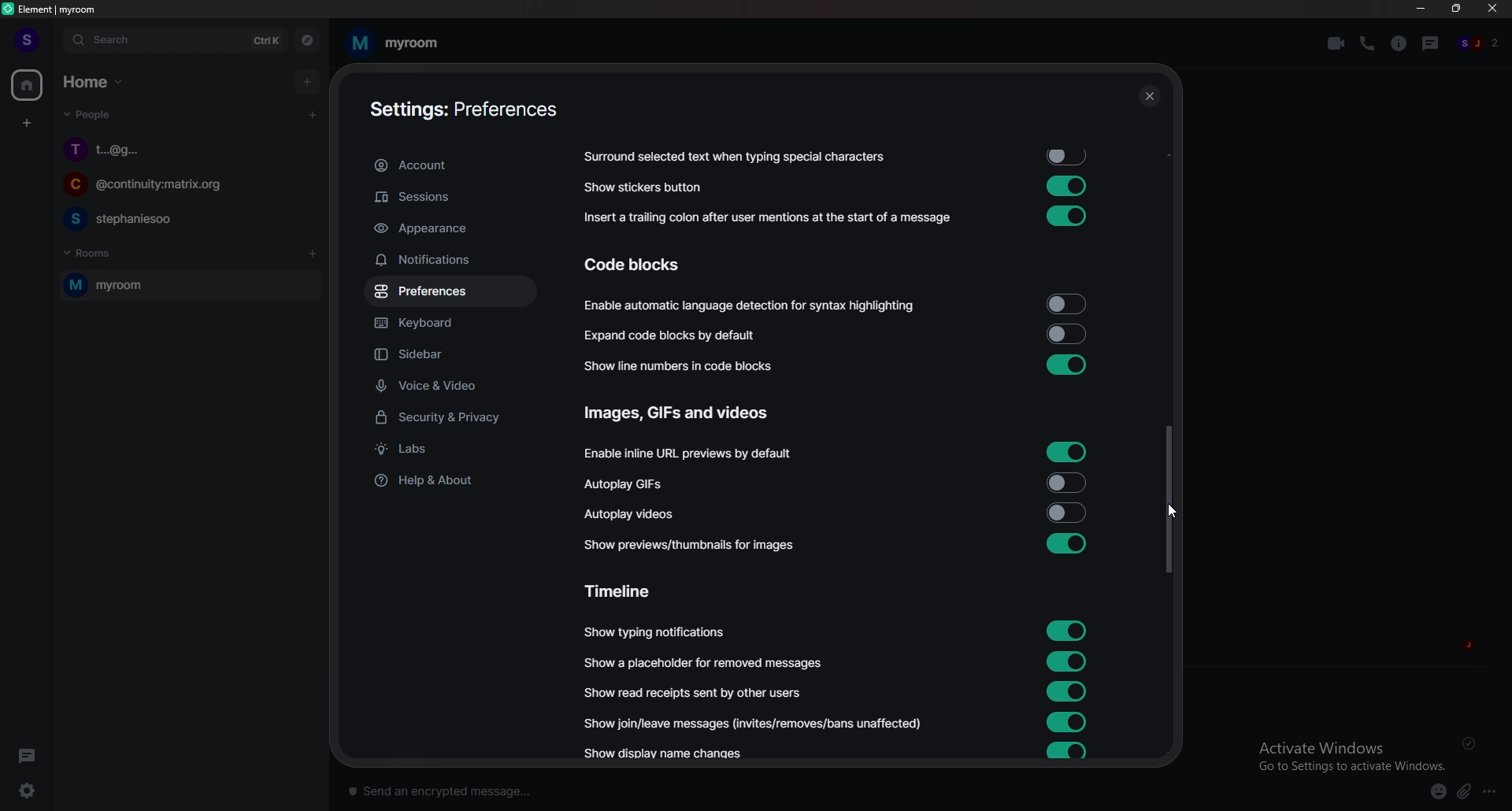  What do you see at coordinates (457, 111) in the screenshot?
I see `settings account` at bounding box center [457, 111].